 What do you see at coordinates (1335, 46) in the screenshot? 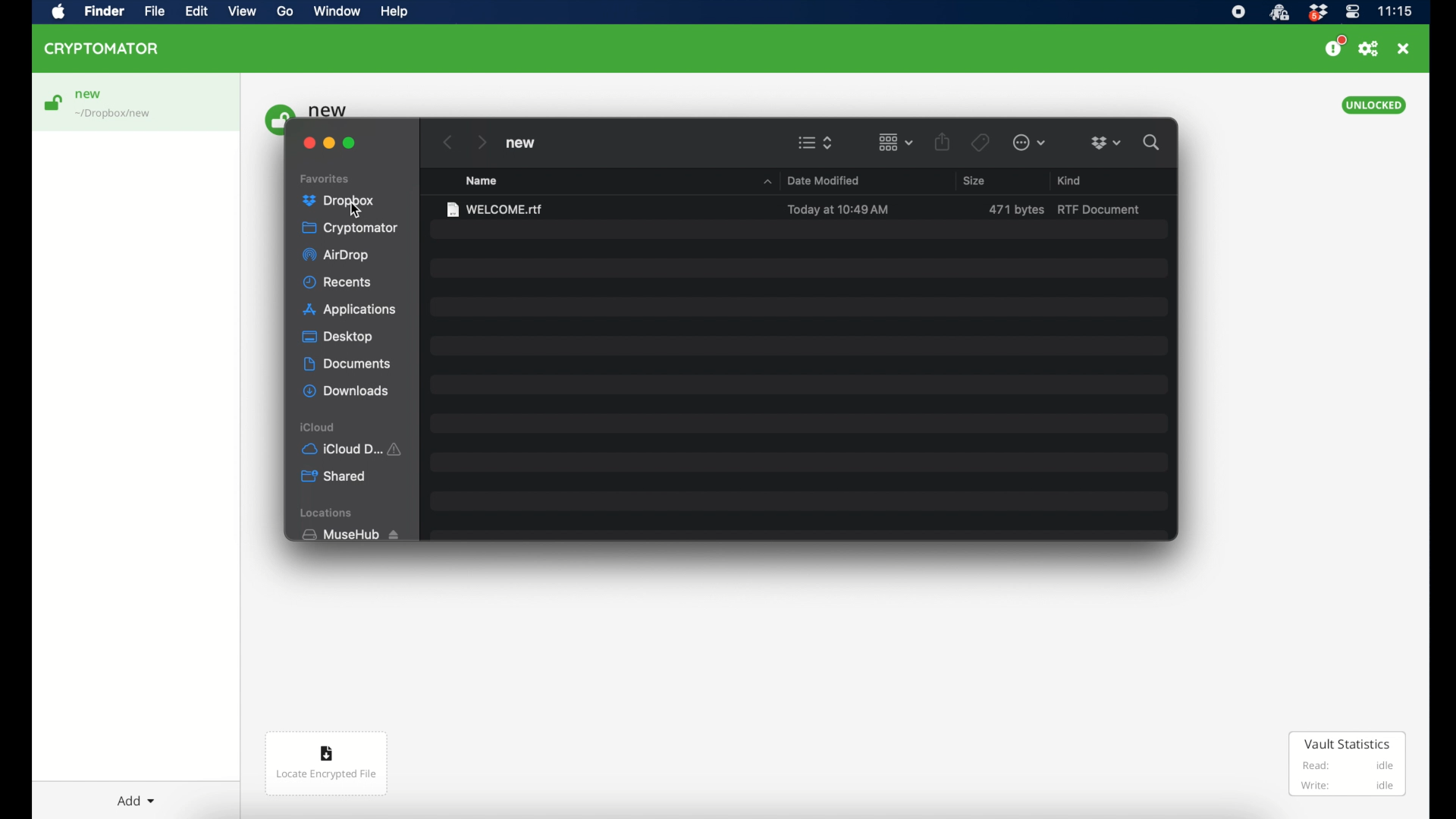
I see `support us` at bounding box center [1335, 46].